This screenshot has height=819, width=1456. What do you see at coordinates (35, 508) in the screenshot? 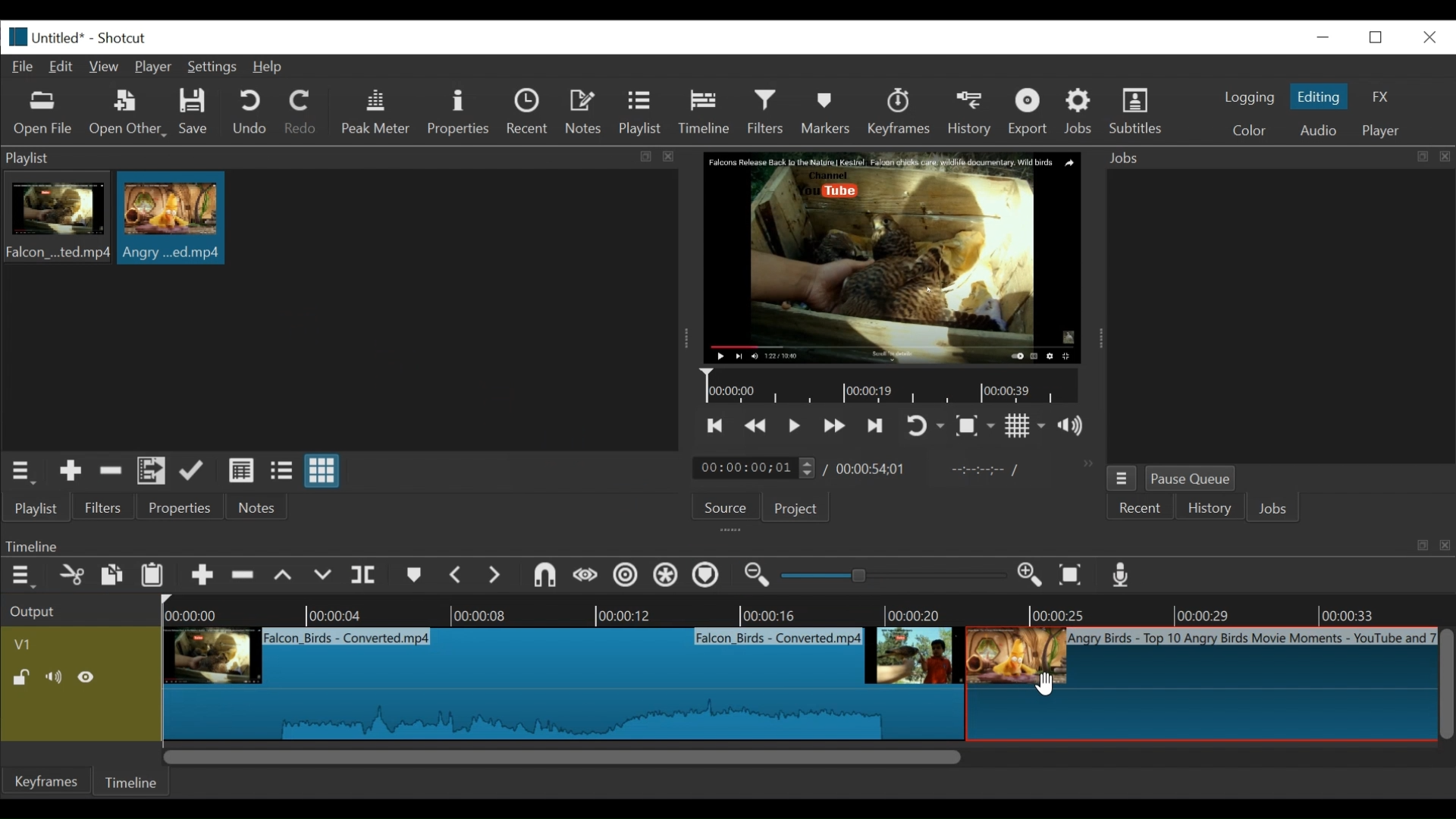
I see `playlist` at bounding box center [35, 508].